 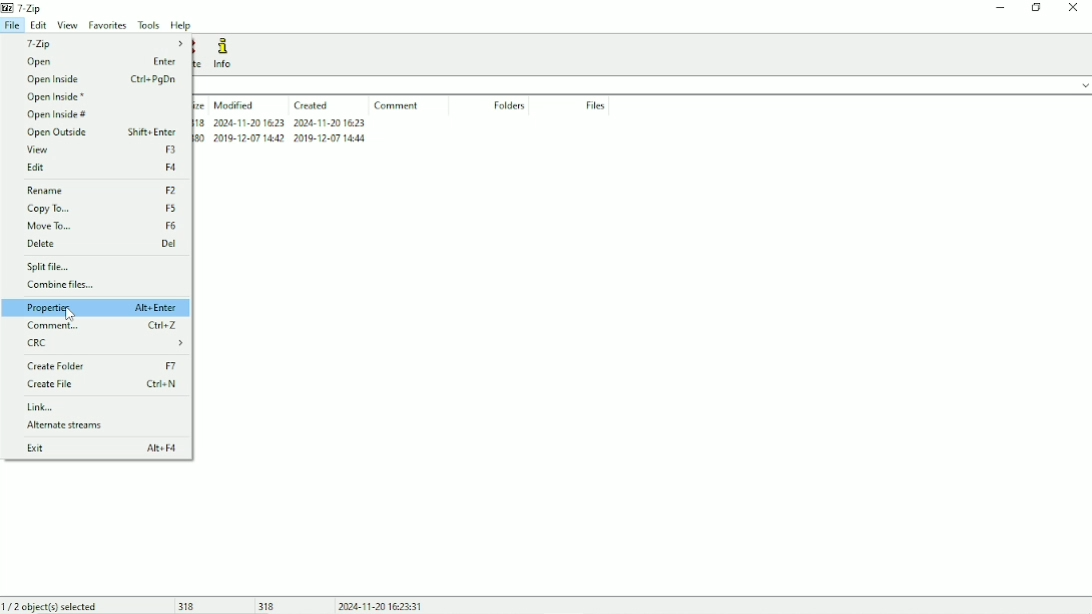 I want to click on Edit, so click(x=102, y=168).